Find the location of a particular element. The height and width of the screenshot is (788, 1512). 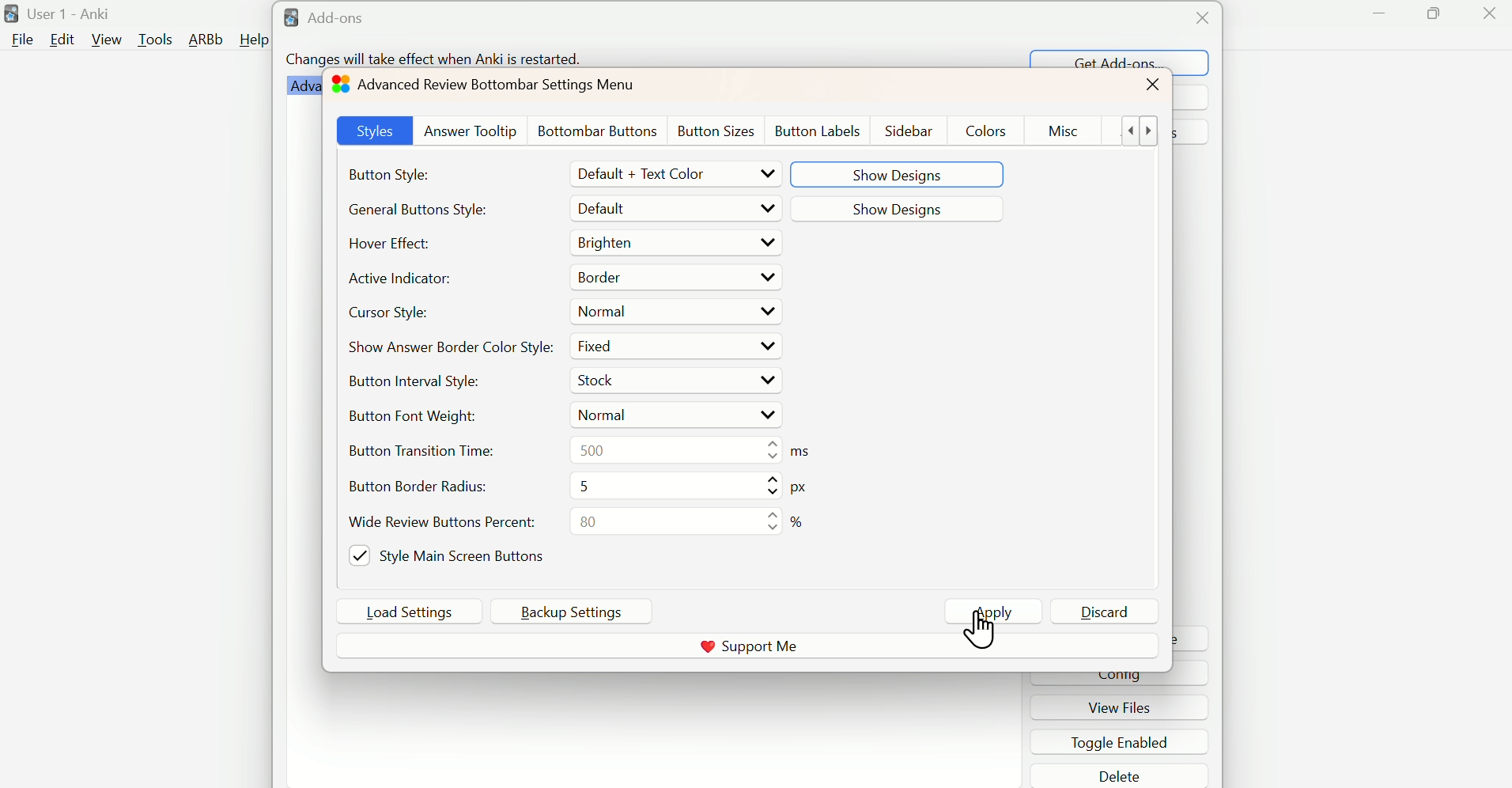

Stock is located at coordinates (600, 379).